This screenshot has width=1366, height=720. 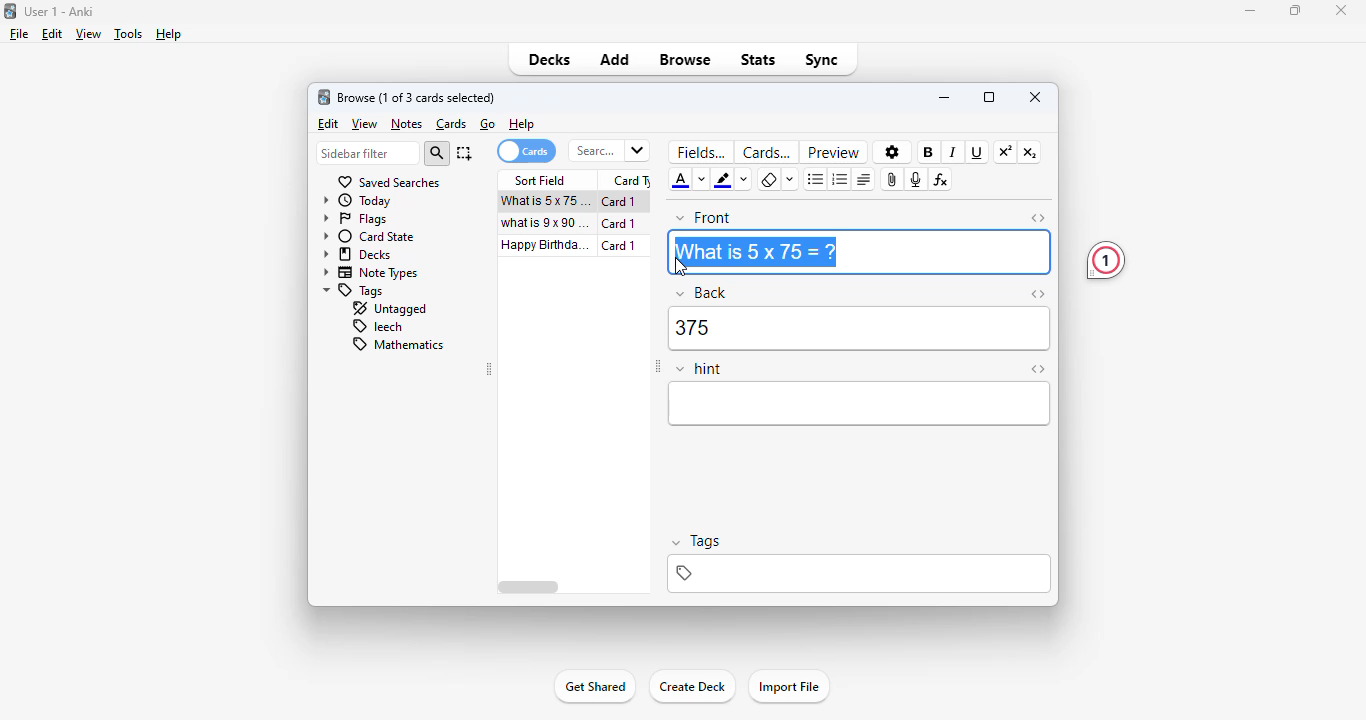 I want to click on logo, so click(x=324, y=97).